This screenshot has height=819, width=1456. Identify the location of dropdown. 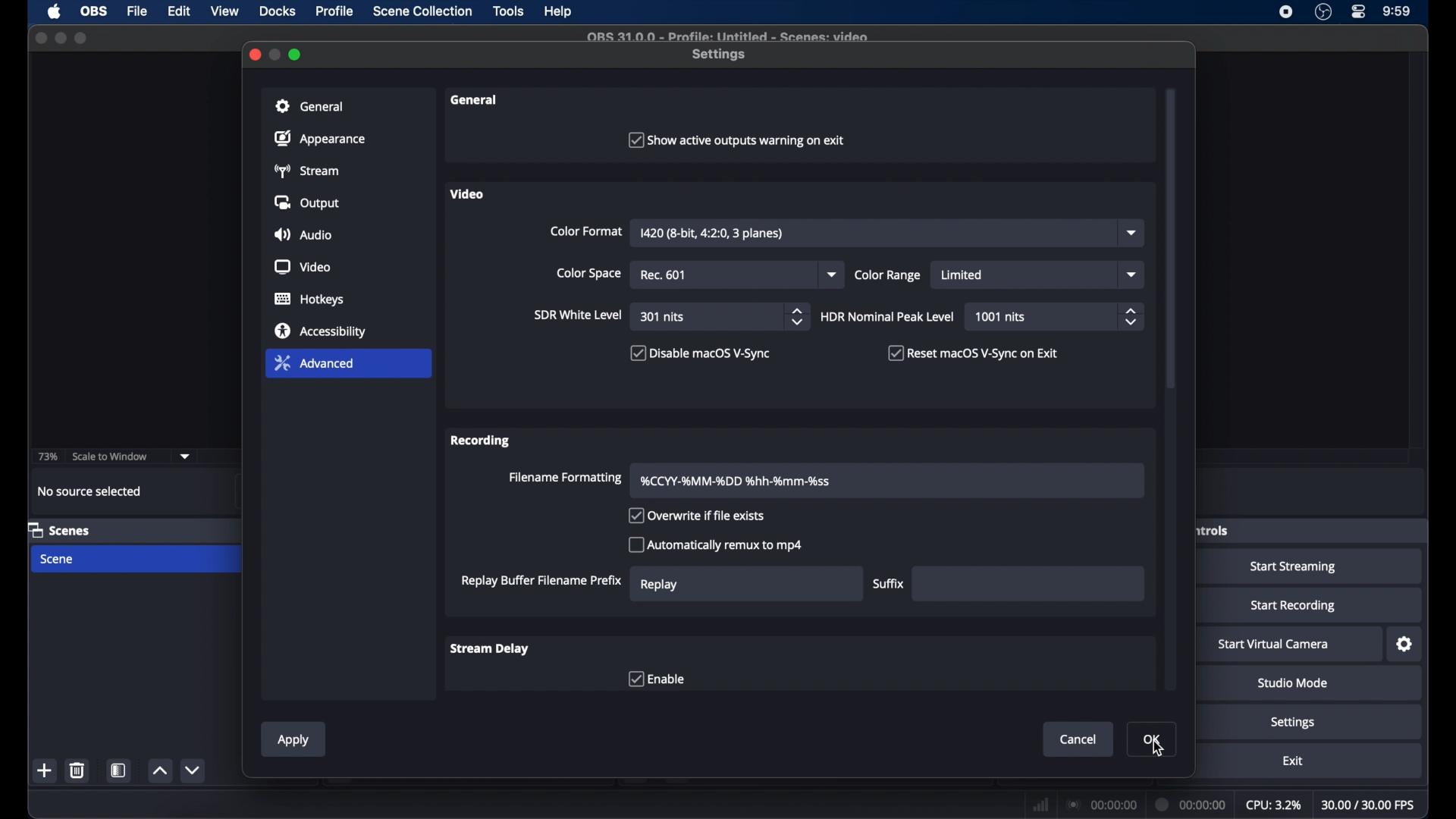
(833, 274).